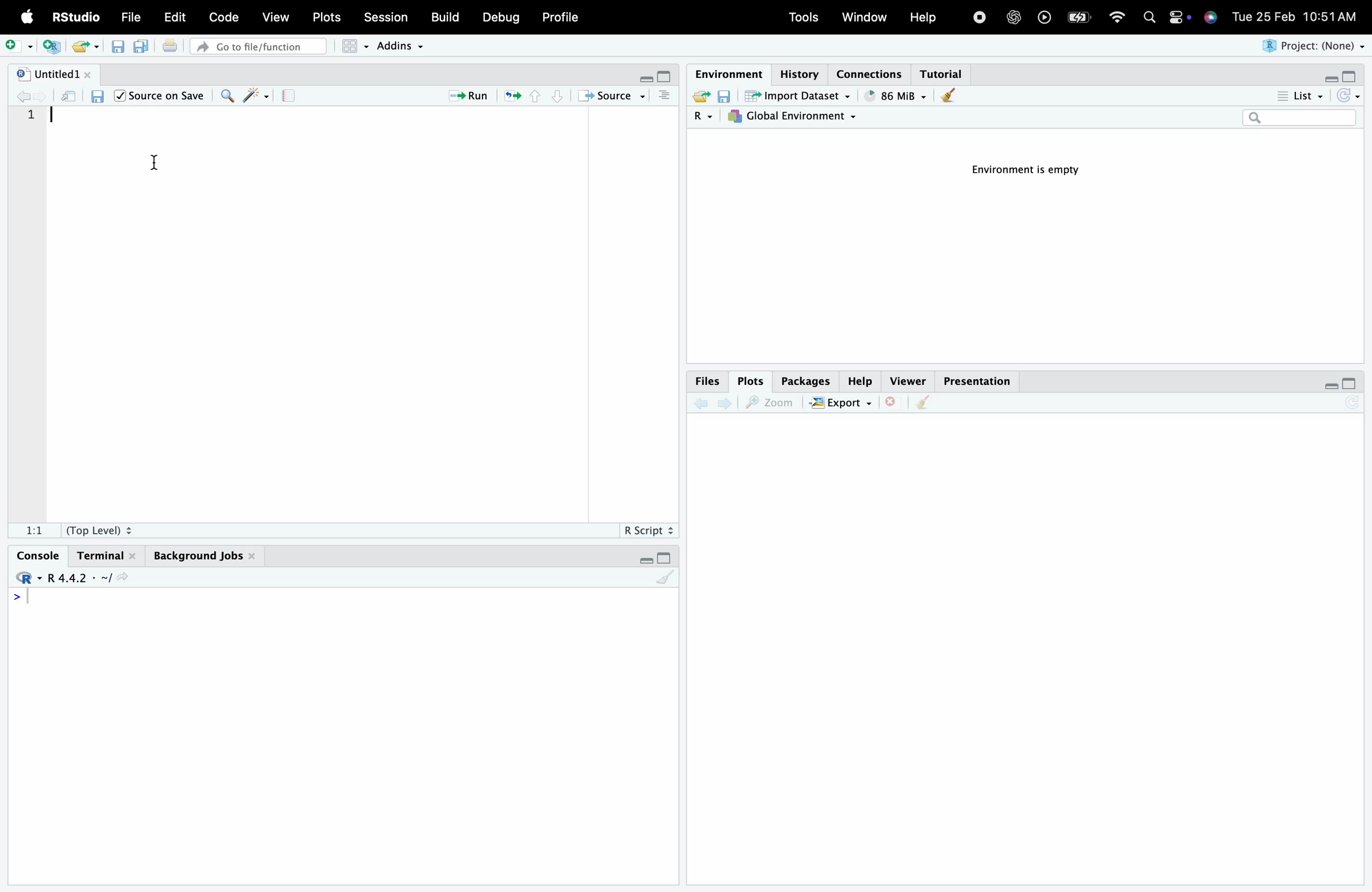 Image resolution: width=1372 pixels, height=892 pixels. I want to click on Profile, so click(566, 16).